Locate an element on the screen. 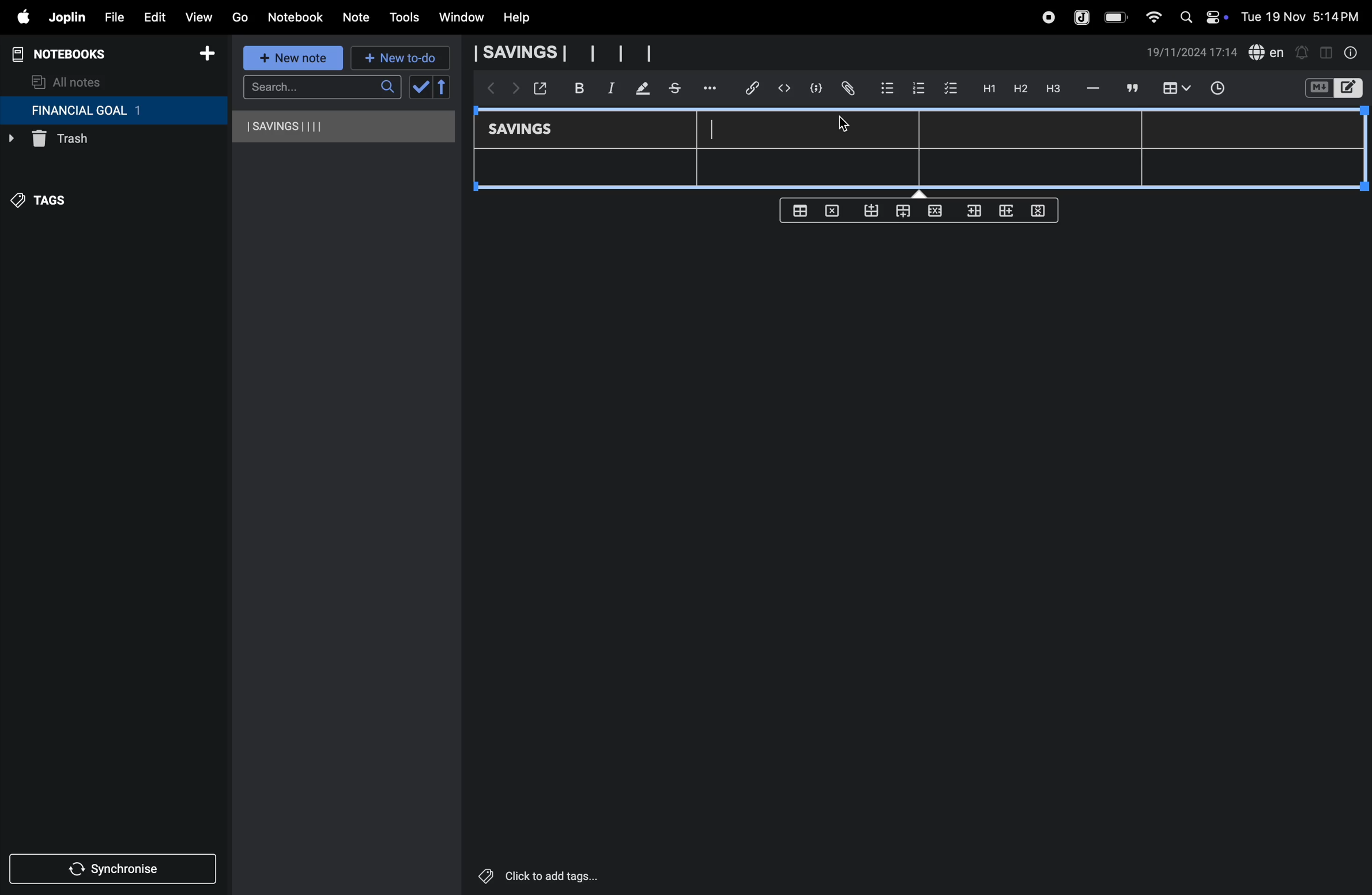 This screenshot has height=895, width=1372. go is located at coordinates (240, 16).